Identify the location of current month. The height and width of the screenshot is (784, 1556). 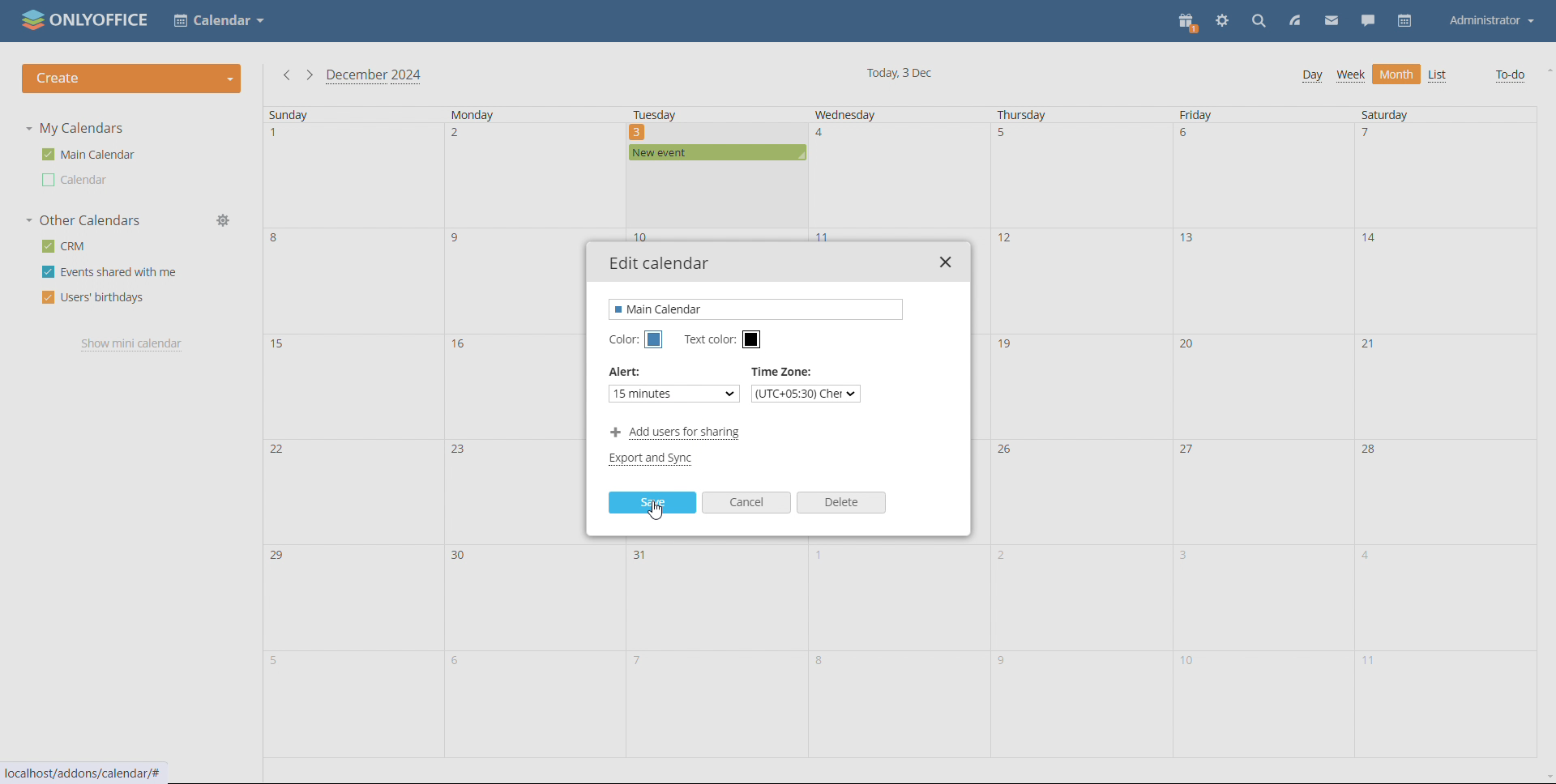
(374, 77).